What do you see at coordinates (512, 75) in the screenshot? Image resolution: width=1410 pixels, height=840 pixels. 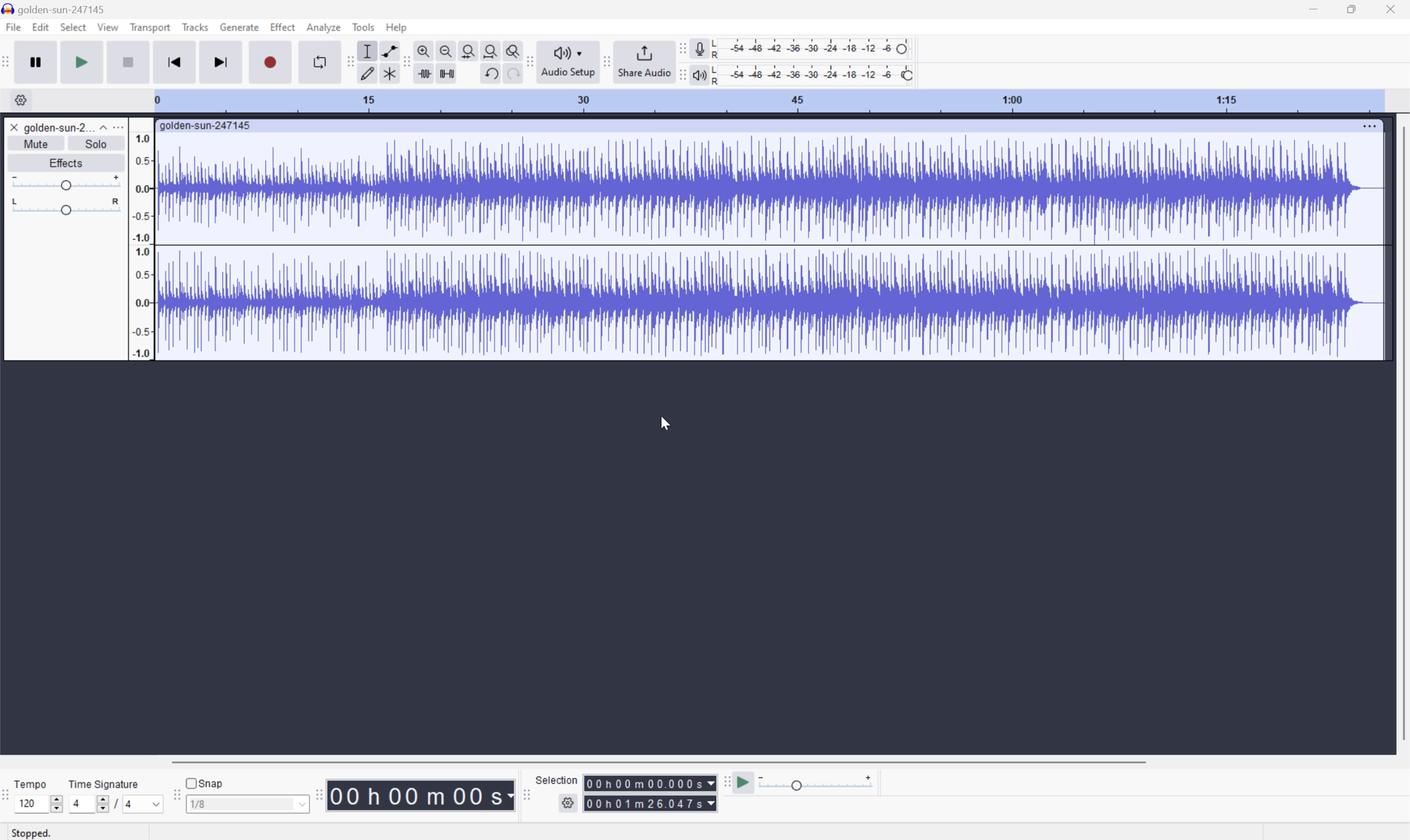 I see `Redo` at bounding box center [512, 75].